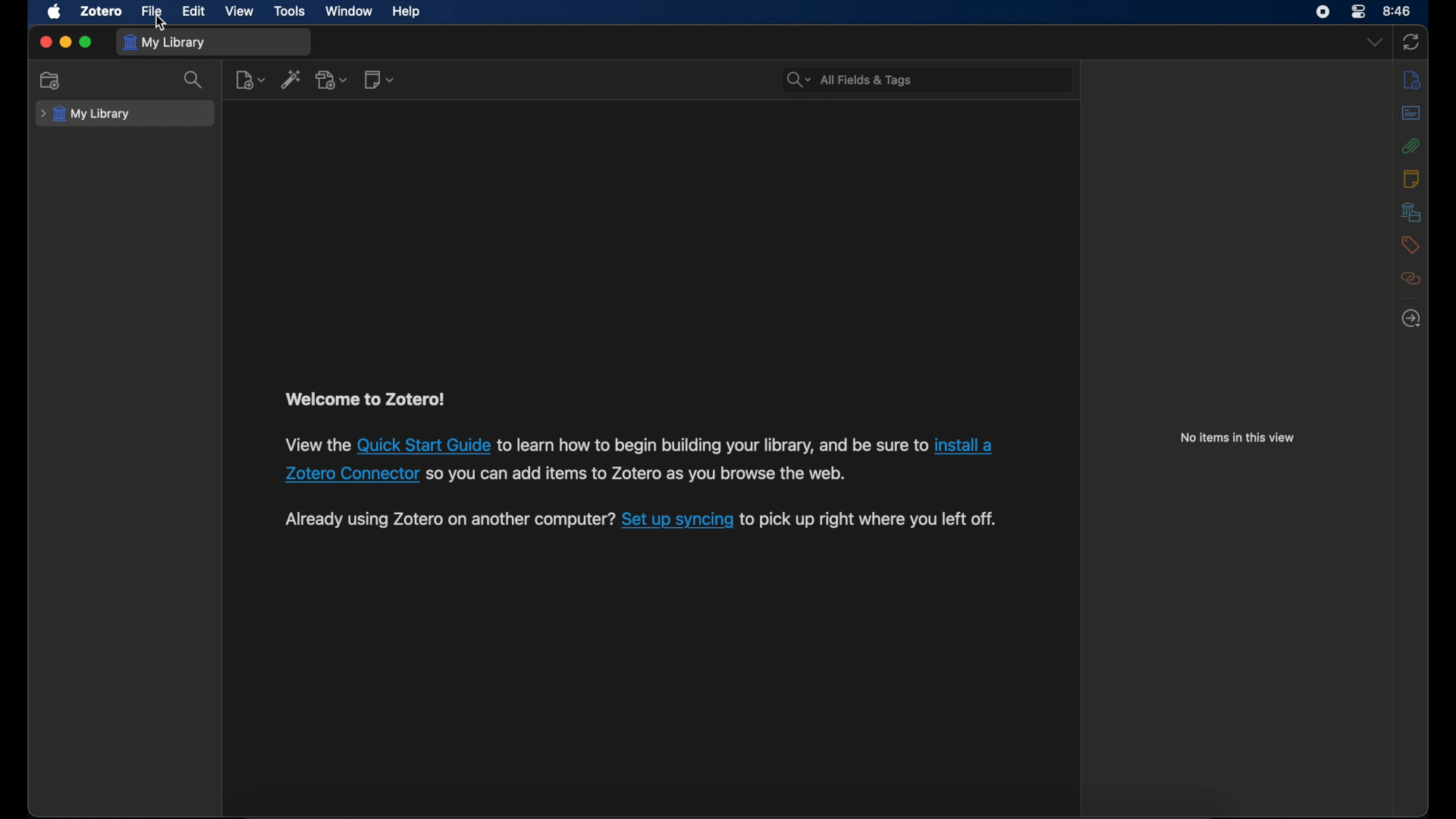  What do you see at coordinates (1412, 279) in the screenshot?
I see `related` at bounding box center [1412, 279].